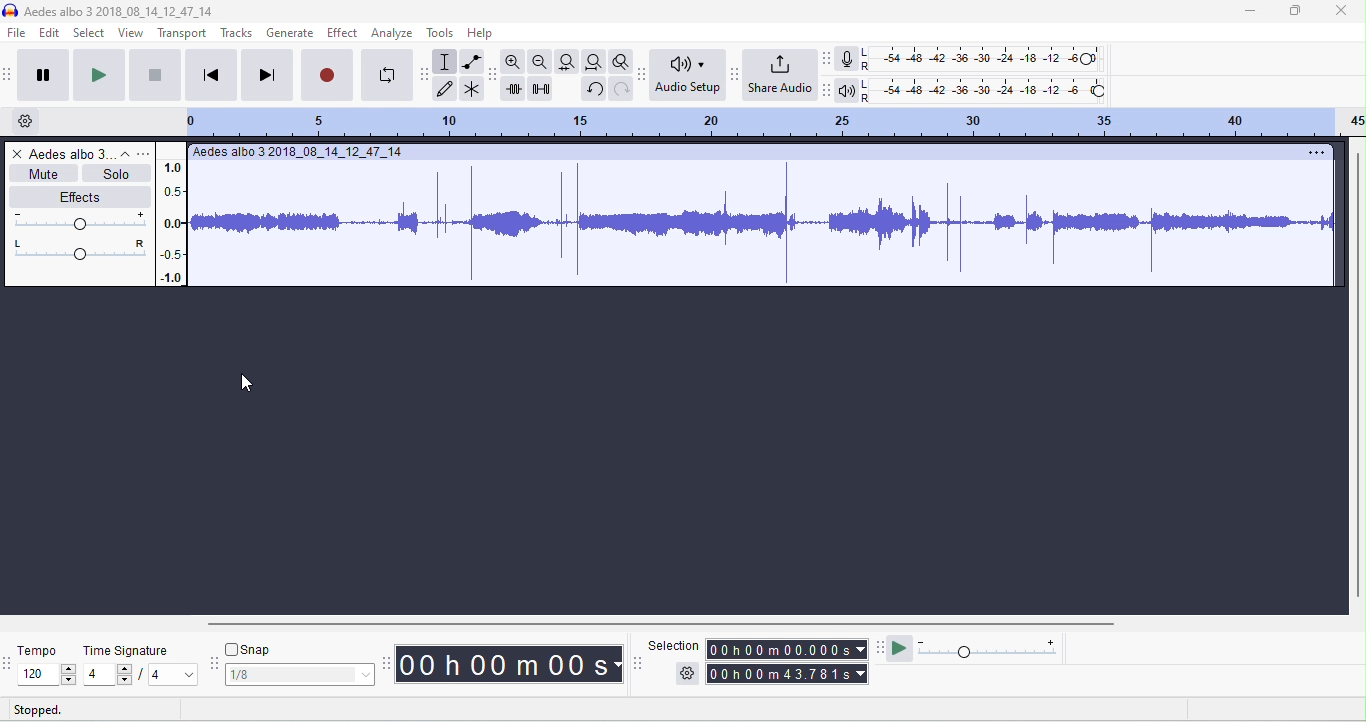 This screenshot has width=1366, height=722. Describe the element at coordinates (830, 91) in the screenshot. I see `playback meter toolbar` at that location.